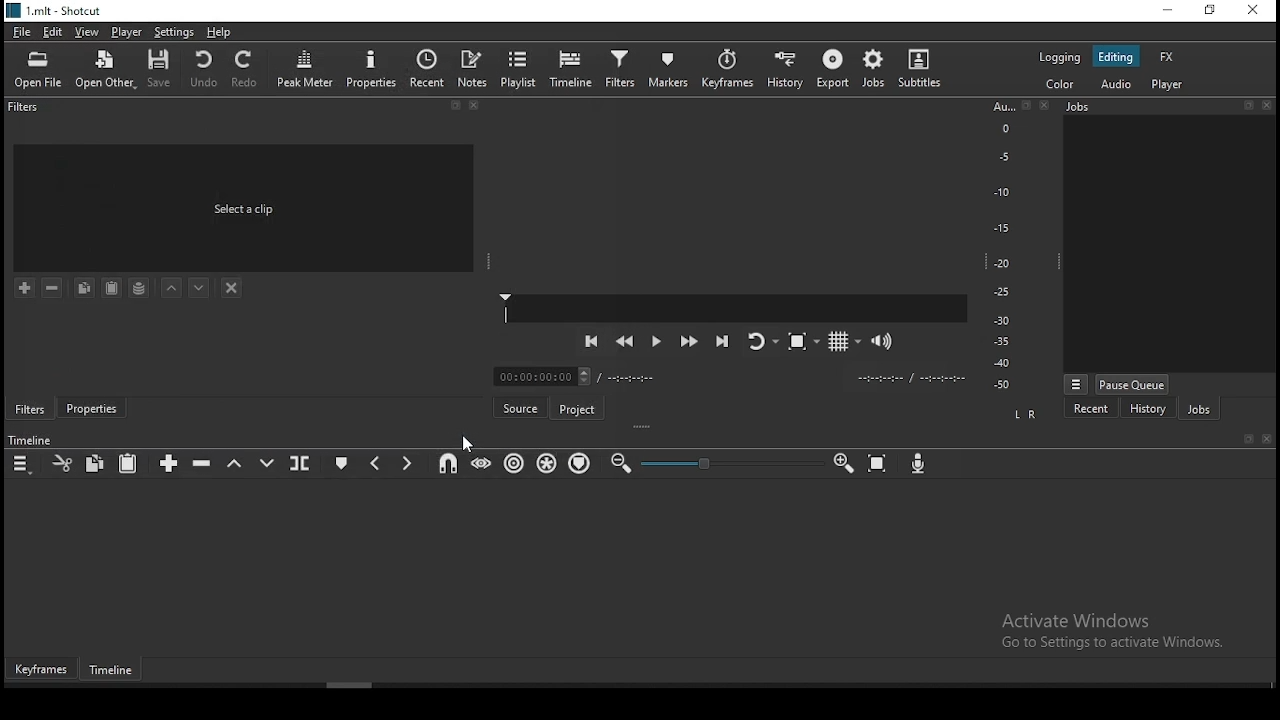  What do you see at coordinates (1119, 57) in the screenshot?
I see `editing` at bounding box center [1119, 57].